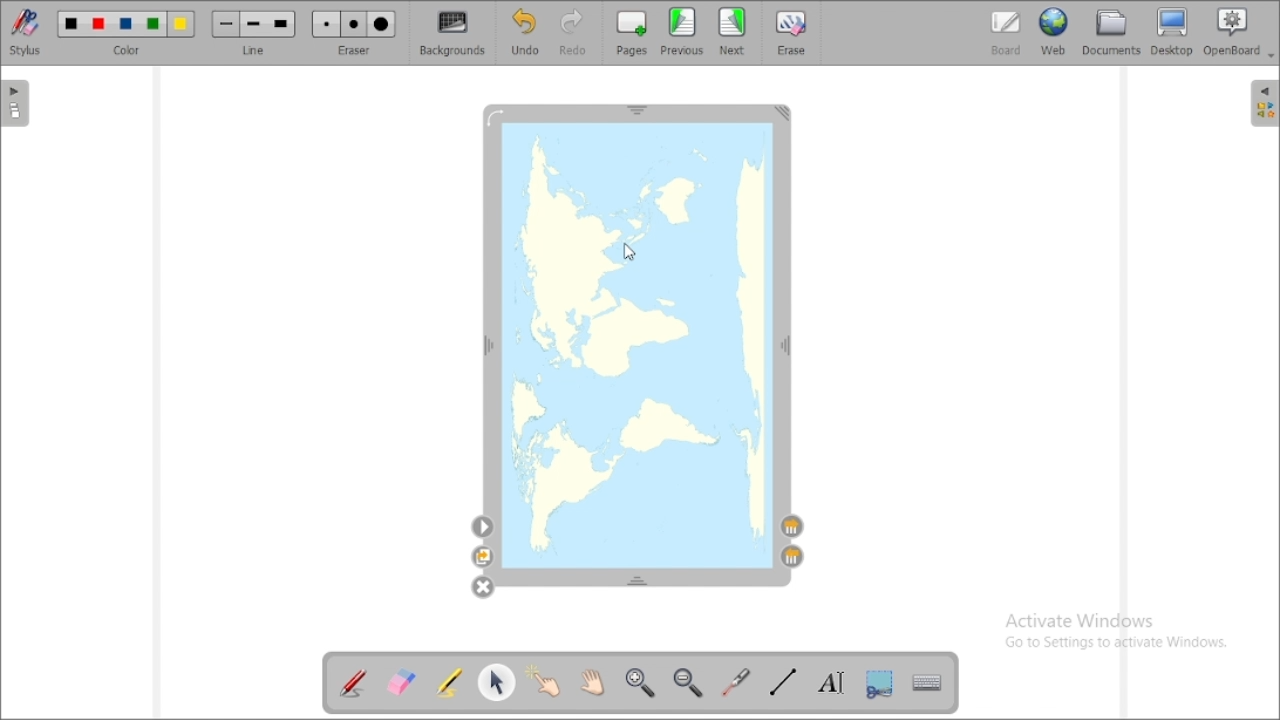  Describe the element at coordinates (632, 33) in the screenshot. I see `pages` at that location.